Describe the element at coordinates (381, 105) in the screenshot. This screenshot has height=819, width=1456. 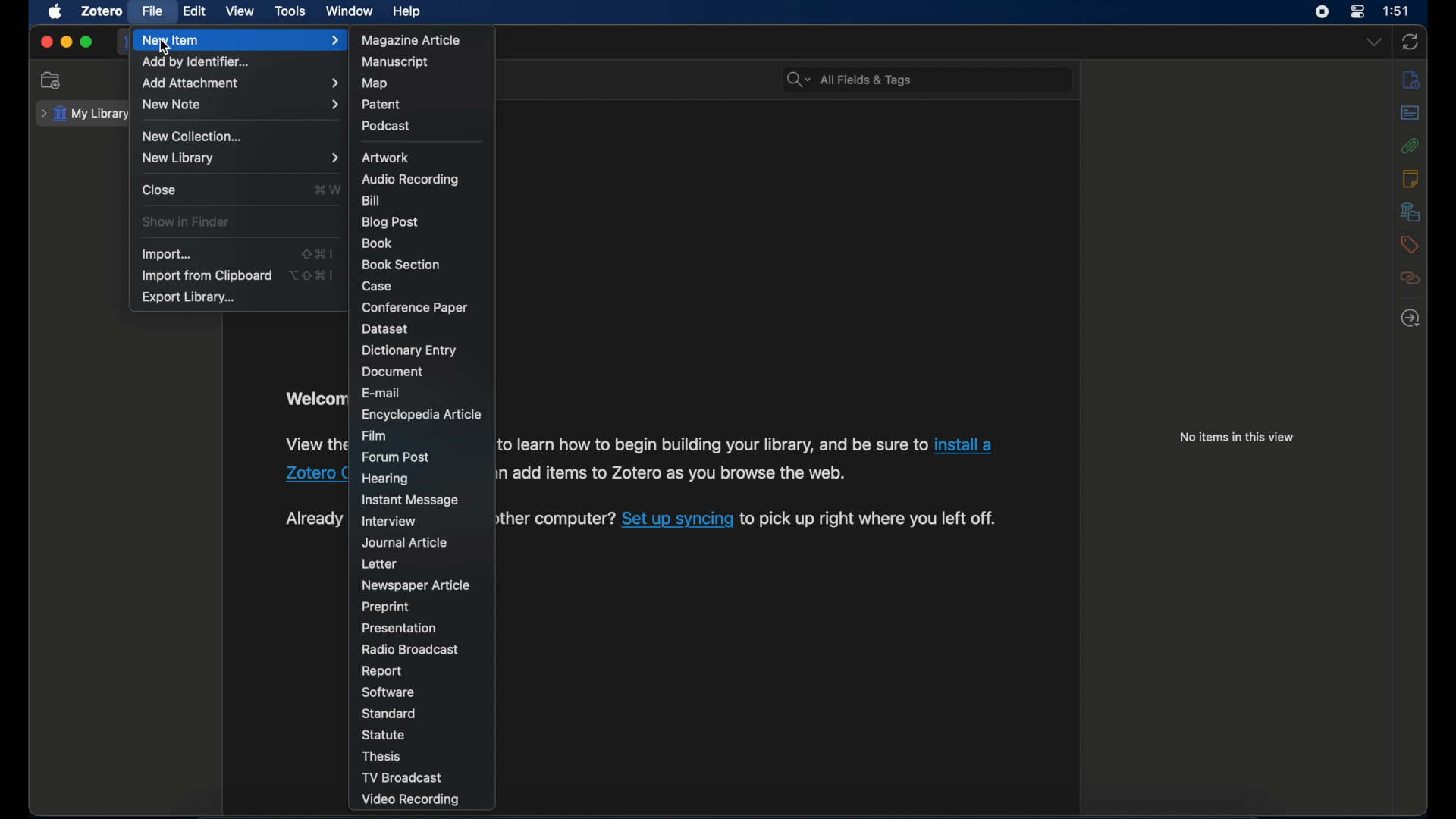
I see `patent` at that location.